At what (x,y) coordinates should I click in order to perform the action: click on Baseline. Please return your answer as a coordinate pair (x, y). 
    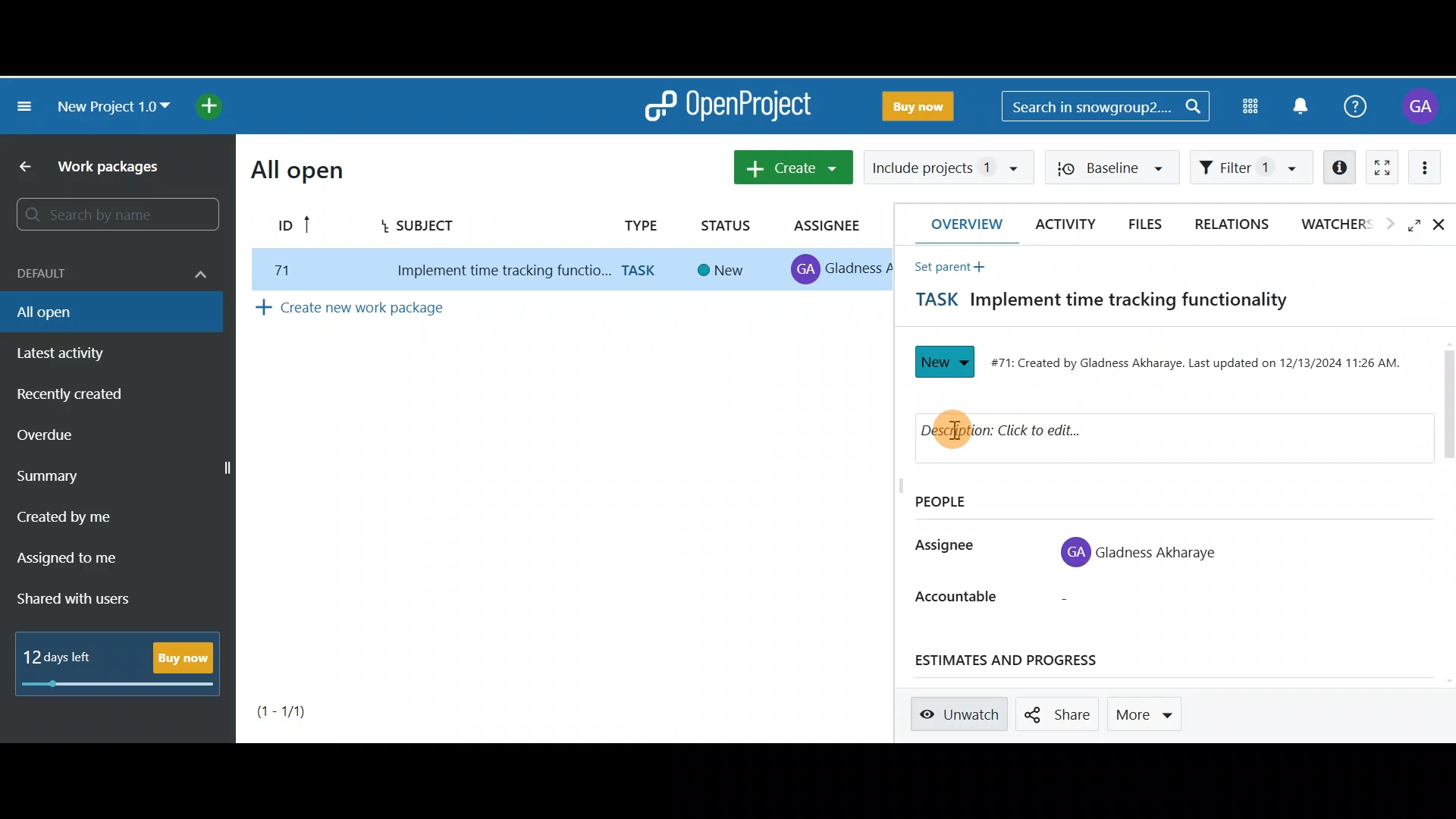
    Looking at the image, I should click on (1119, 168).